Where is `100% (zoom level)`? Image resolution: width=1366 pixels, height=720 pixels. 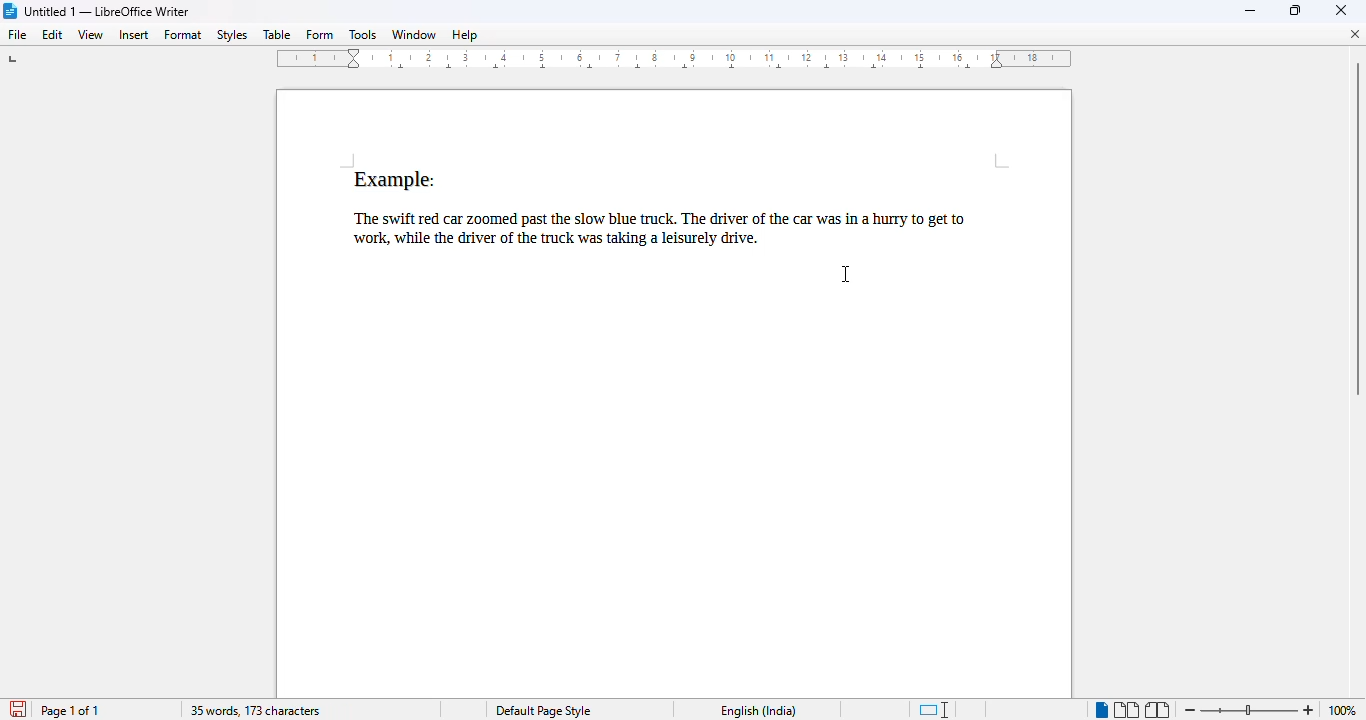 100% (zoom level) is located at coordinates (1344, 710).